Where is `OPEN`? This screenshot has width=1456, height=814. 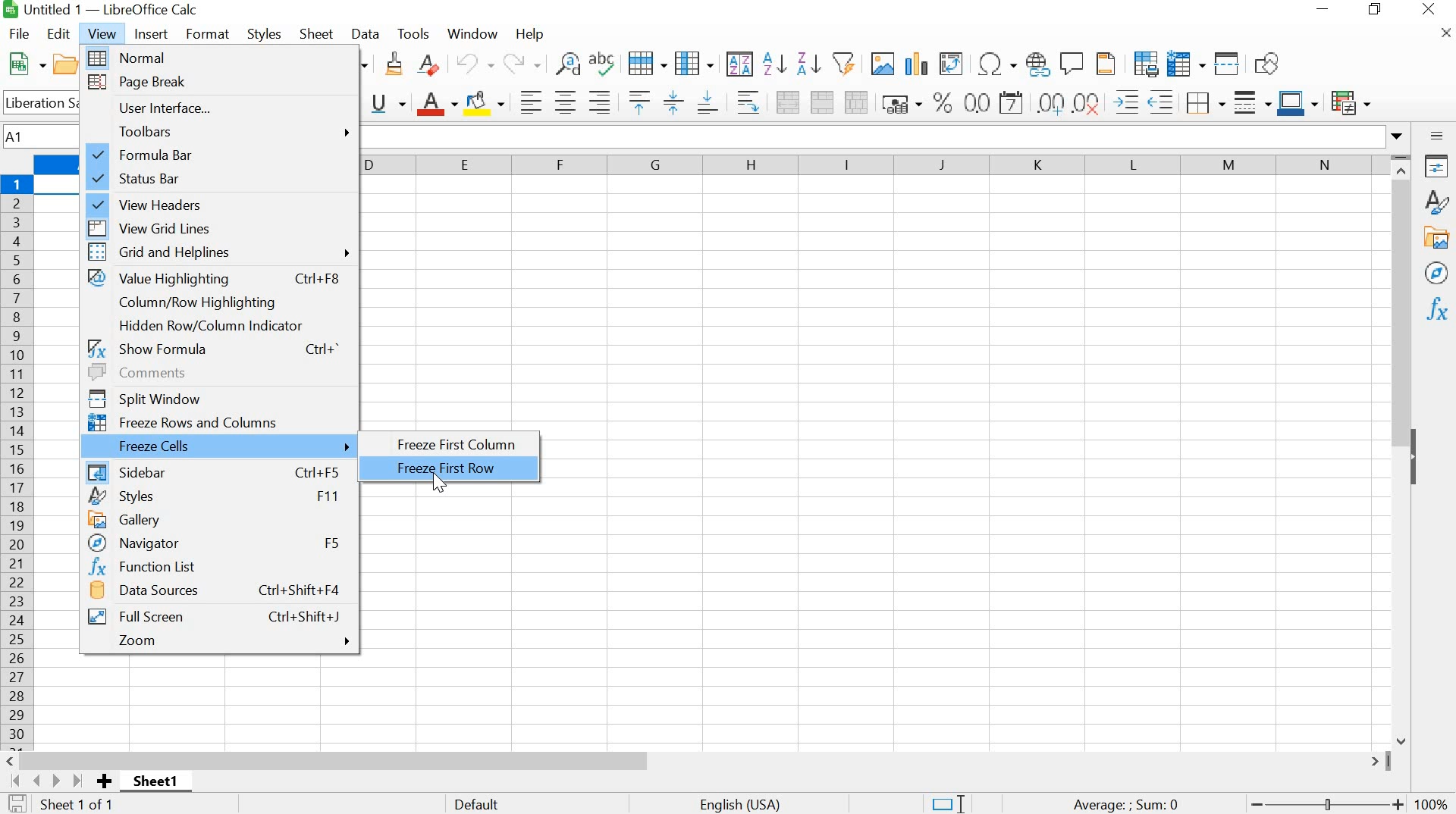
OPEN is located at coordinates (71, 64).